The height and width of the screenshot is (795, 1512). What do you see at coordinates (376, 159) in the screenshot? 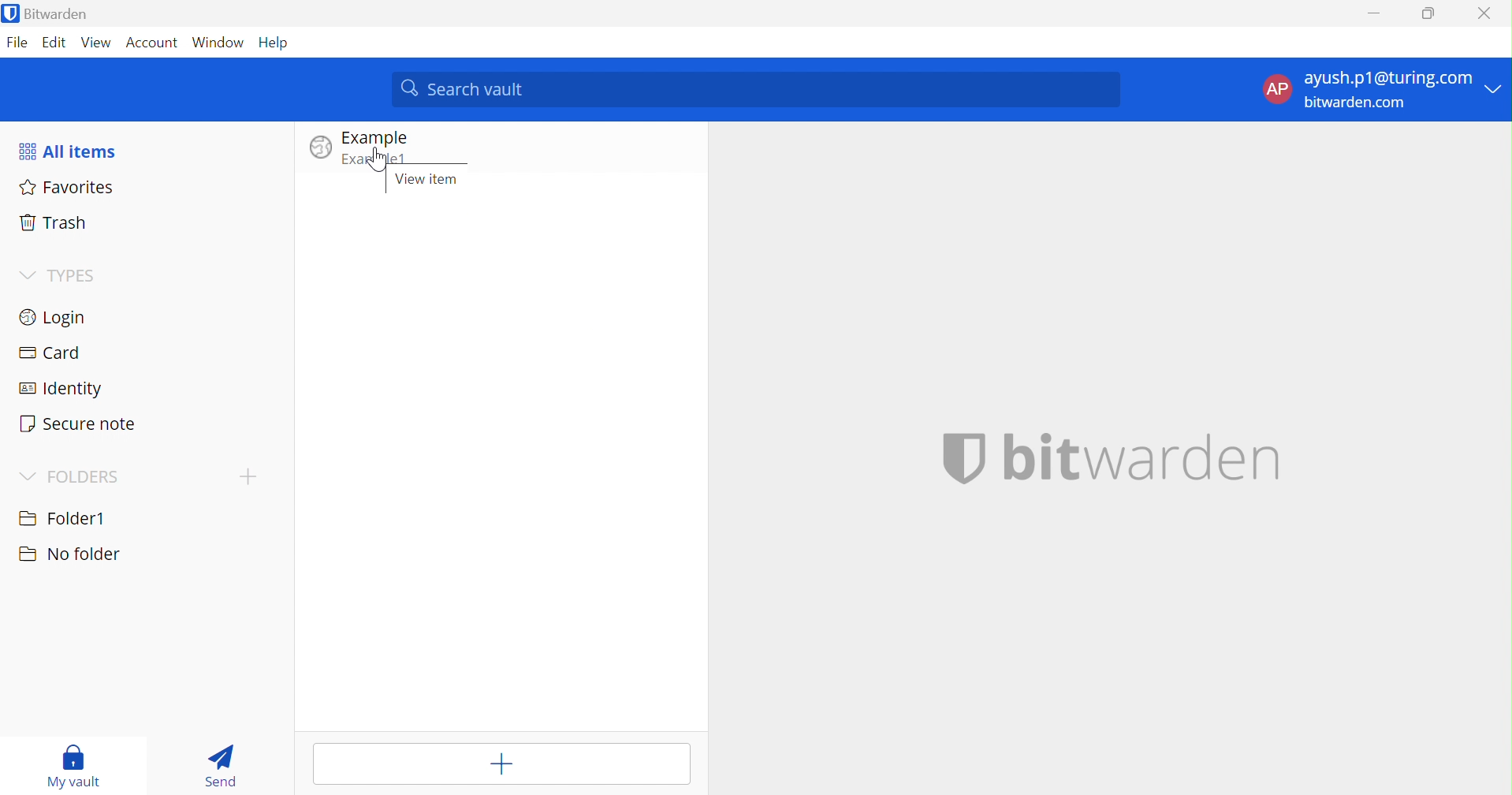
I see `Example1` at bounding box center [376, 159].